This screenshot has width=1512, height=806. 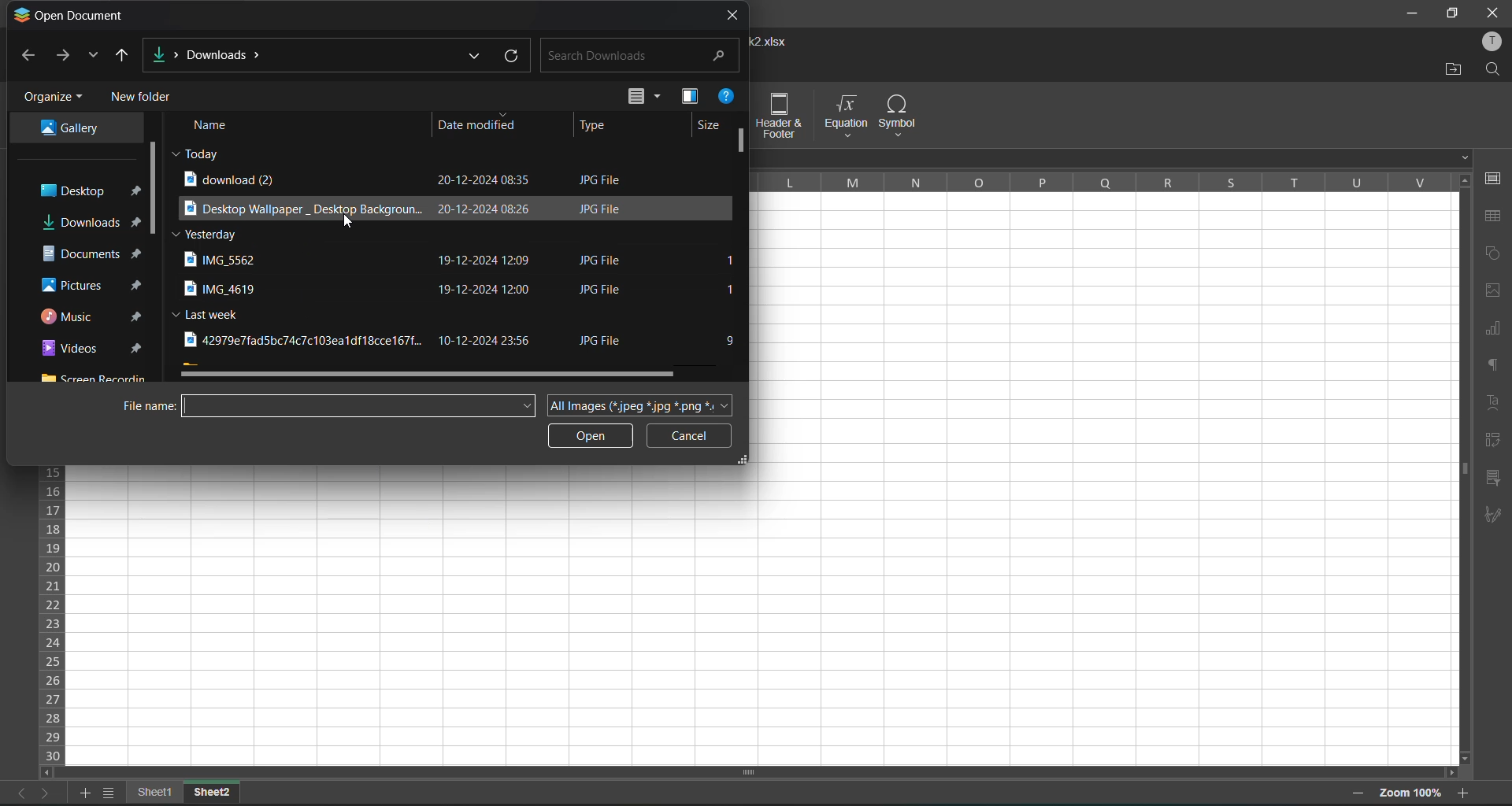 I want to click on close tab, so click(x=736, y=14).